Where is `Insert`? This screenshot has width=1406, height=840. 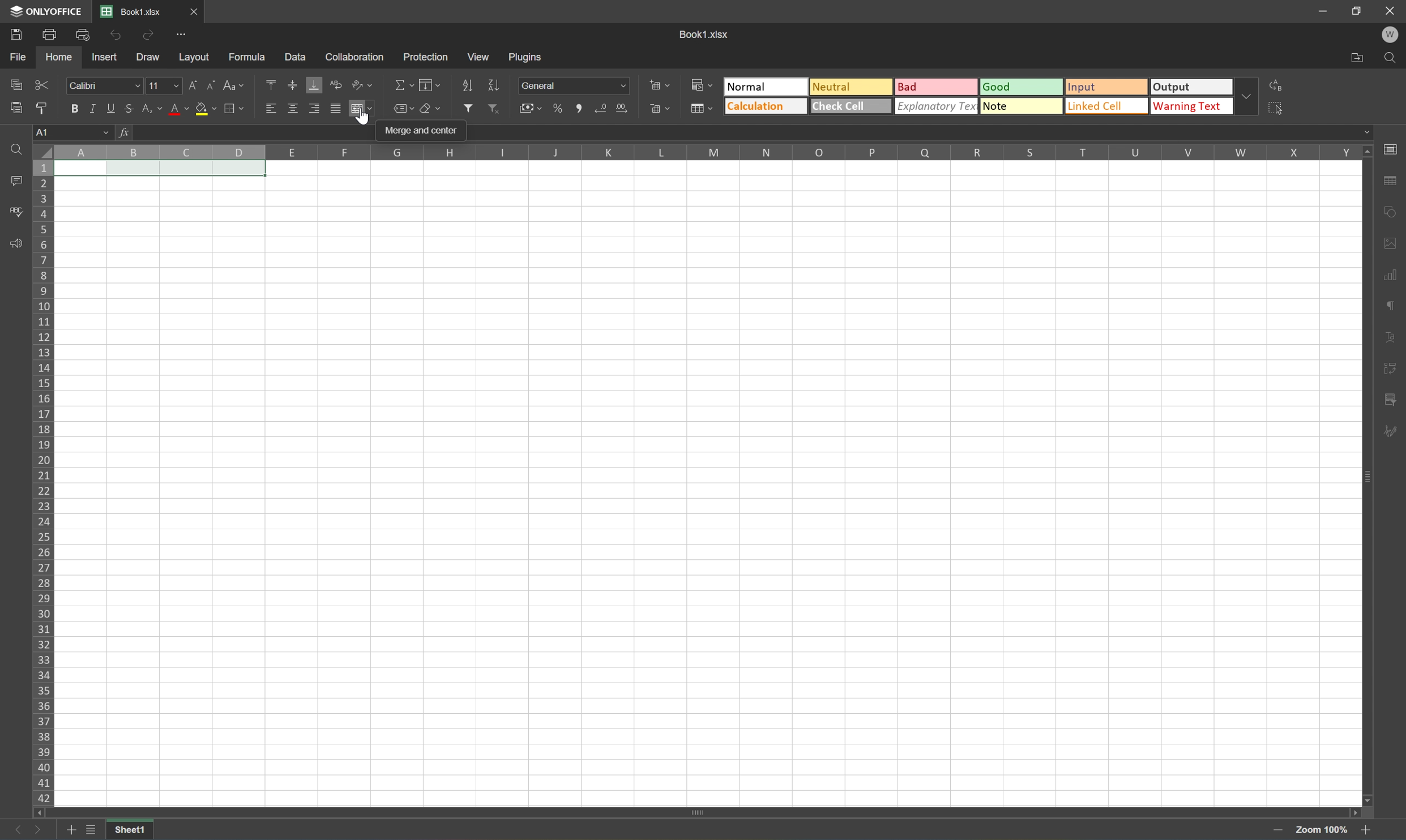
Insert is located at coordinates (104, 59).